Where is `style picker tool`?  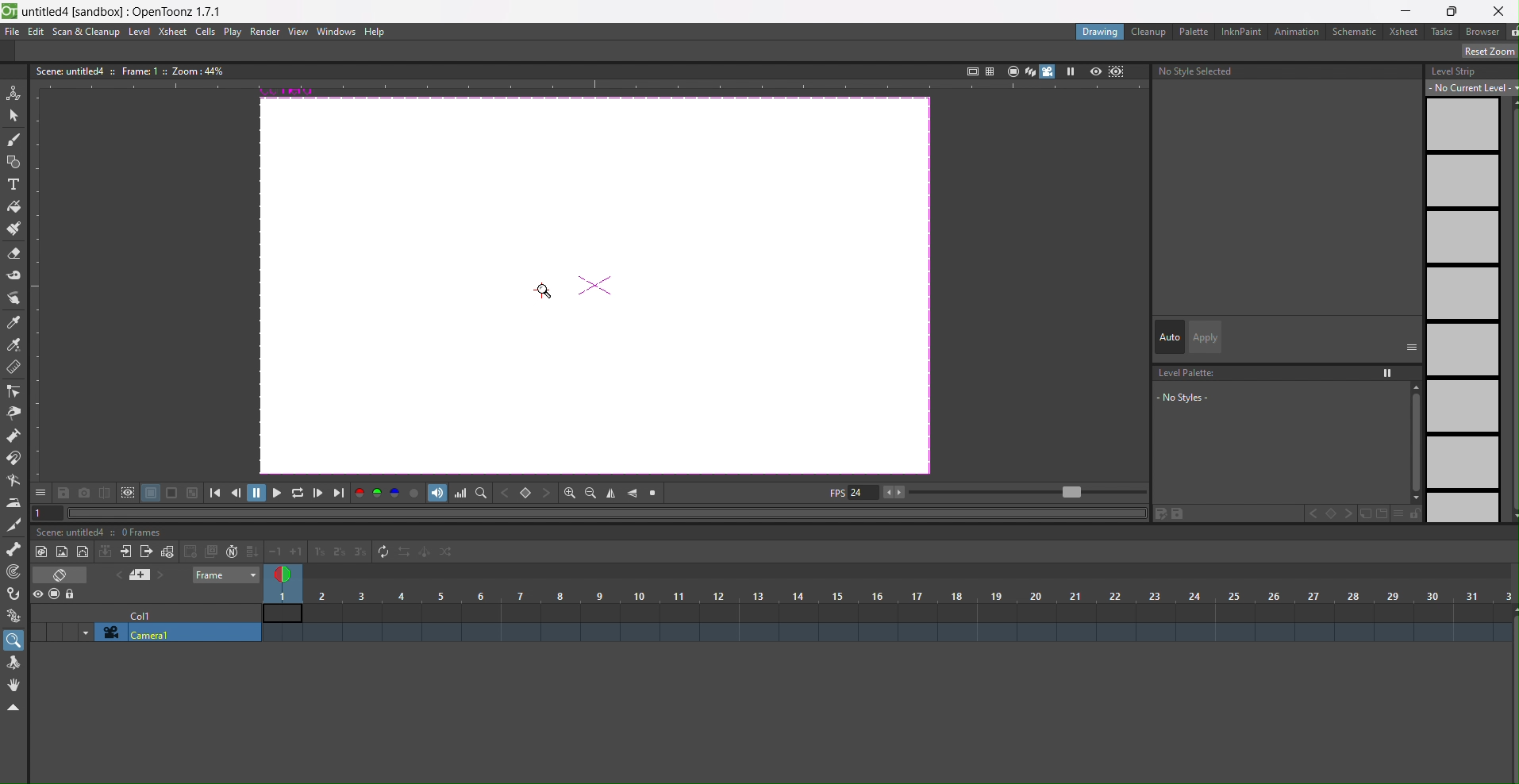
style picker tool is located at coordinates (17, 298).